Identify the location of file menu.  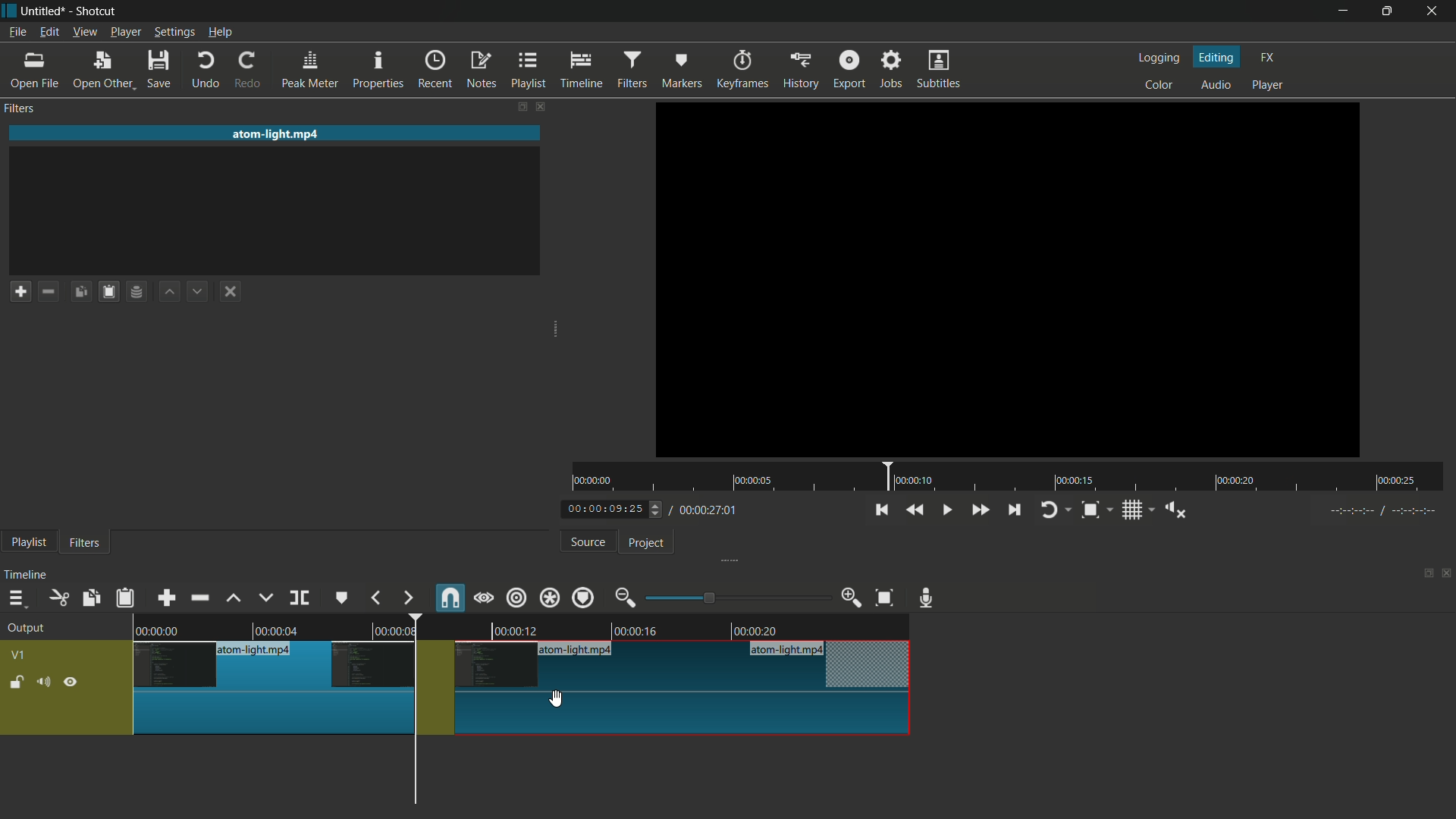
(17, 33).